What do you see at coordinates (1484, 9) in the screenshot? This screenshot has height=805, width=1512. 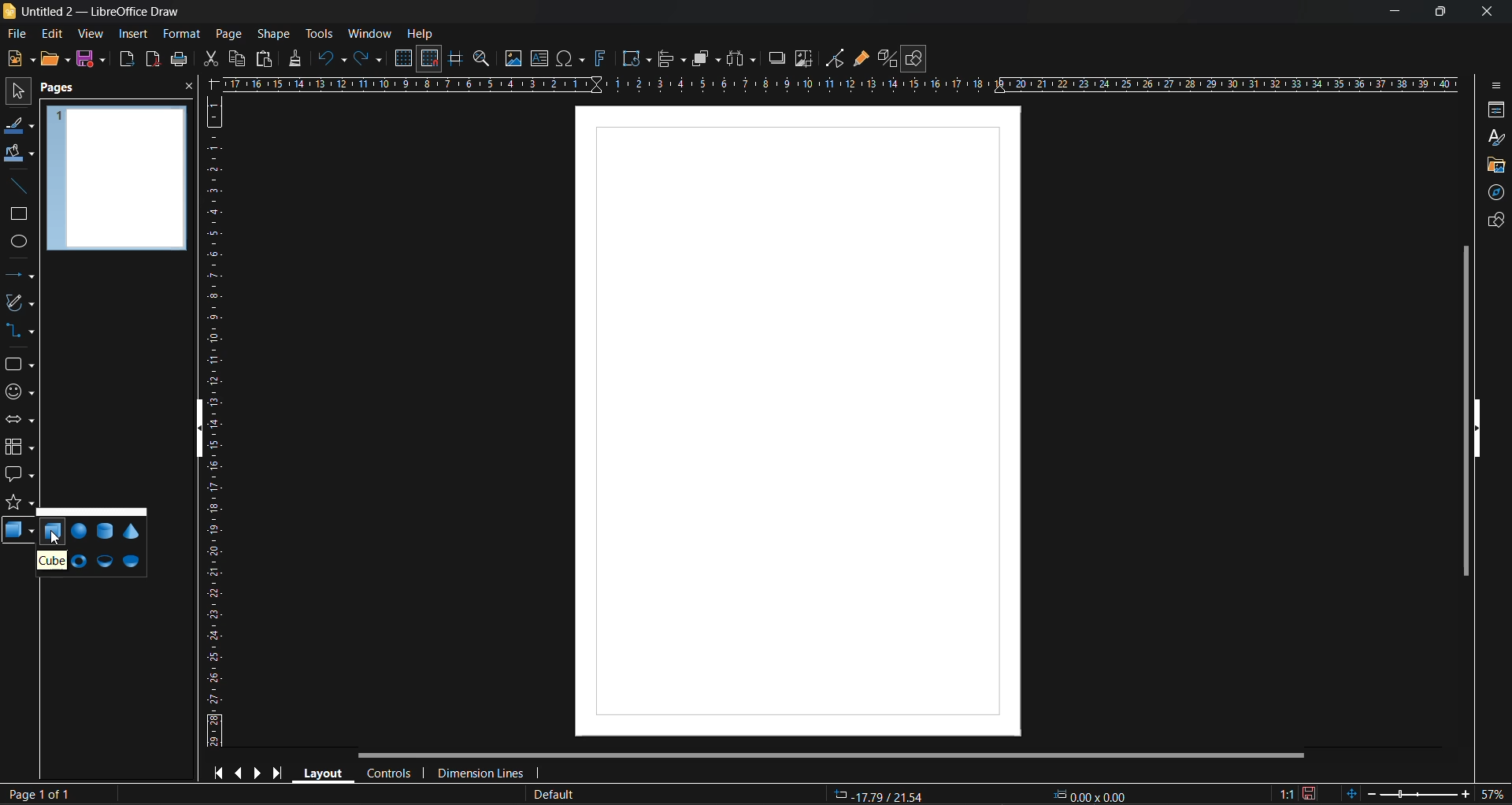 I see `close` at bounding box center [1484, 9].